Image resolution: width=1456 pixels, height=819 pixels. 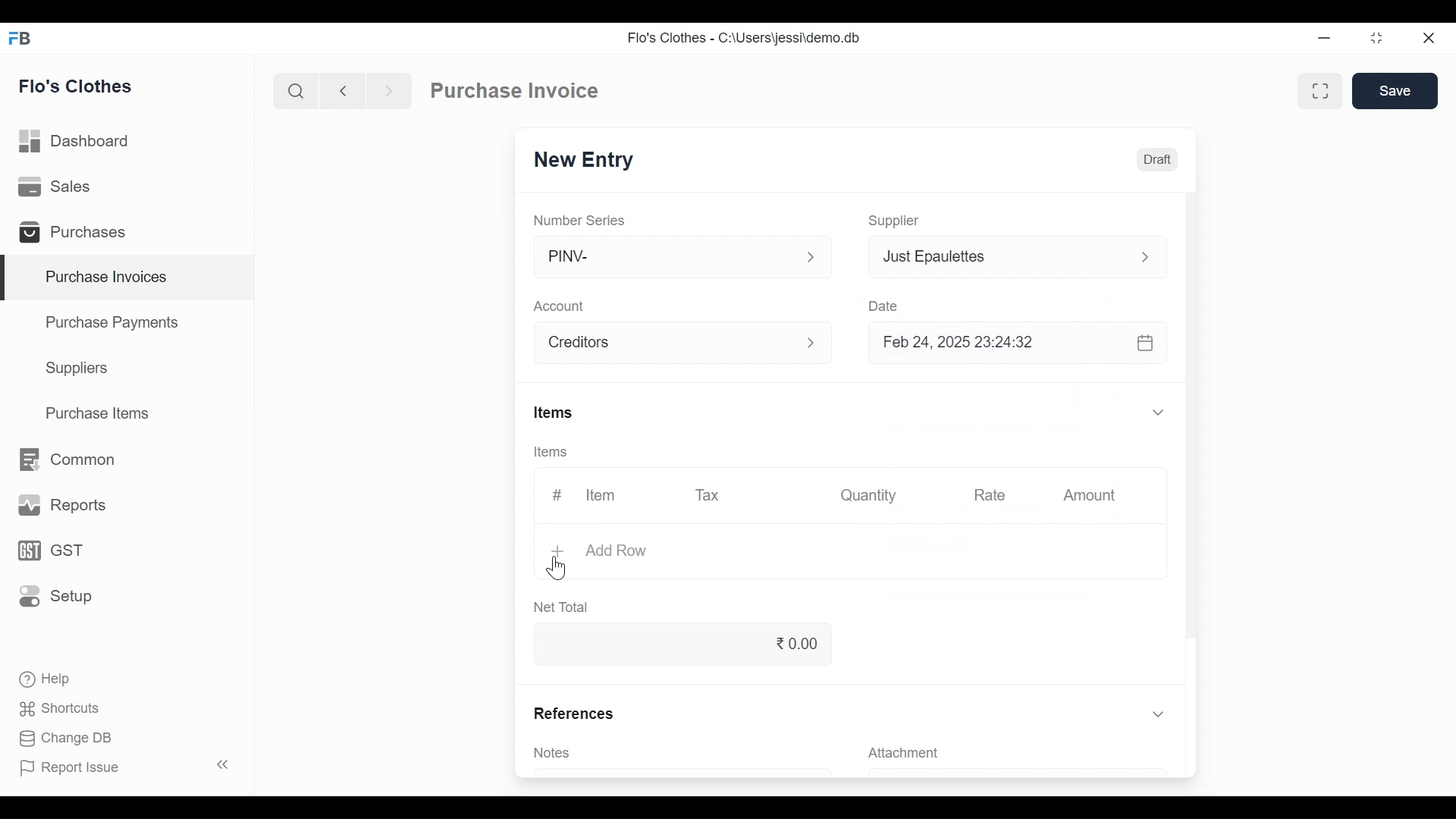 I want to click on Change DB, so click(x=67, y=738).